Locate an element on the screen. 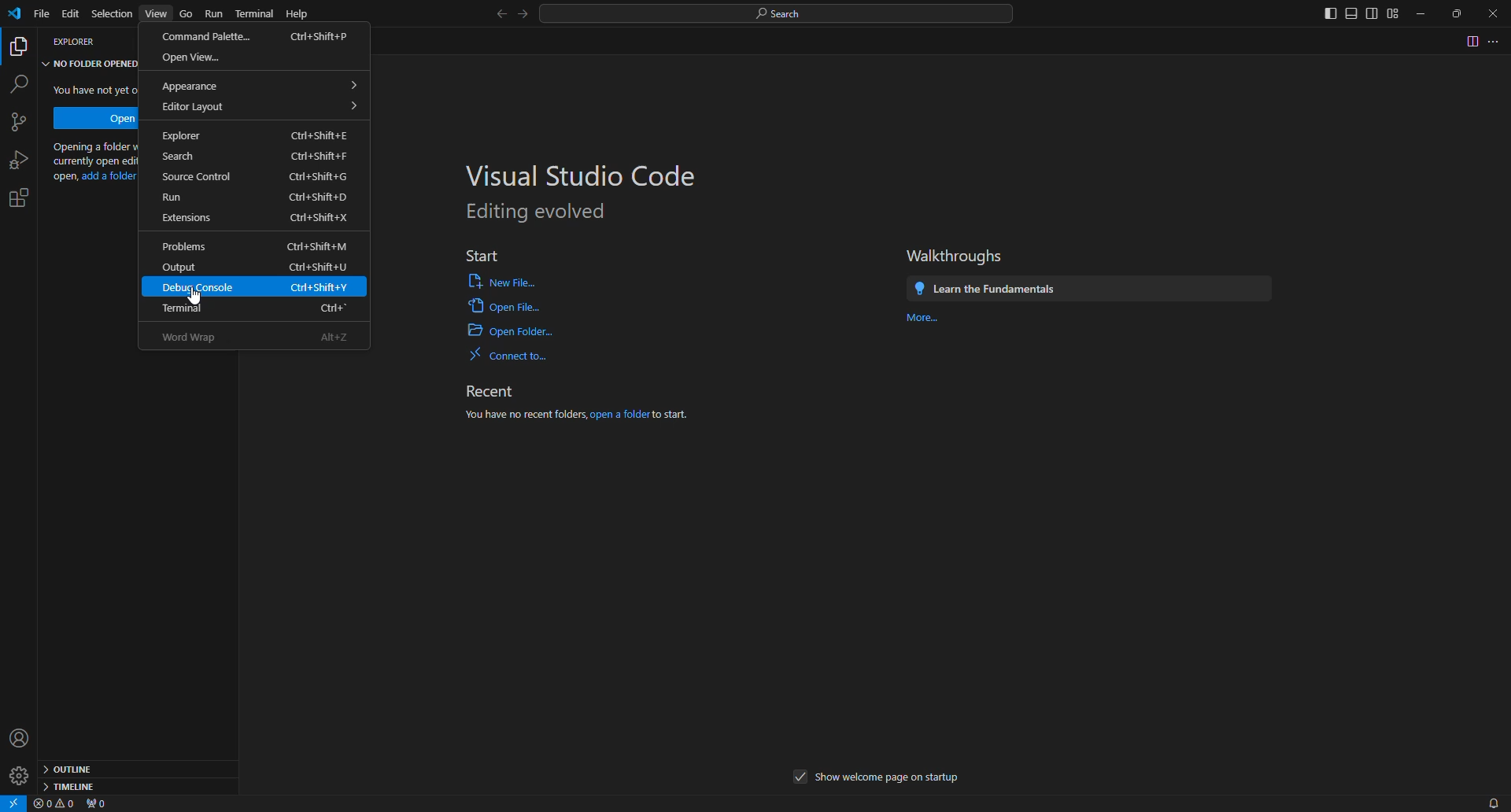  word wrap is located at coordinates (261, 338).